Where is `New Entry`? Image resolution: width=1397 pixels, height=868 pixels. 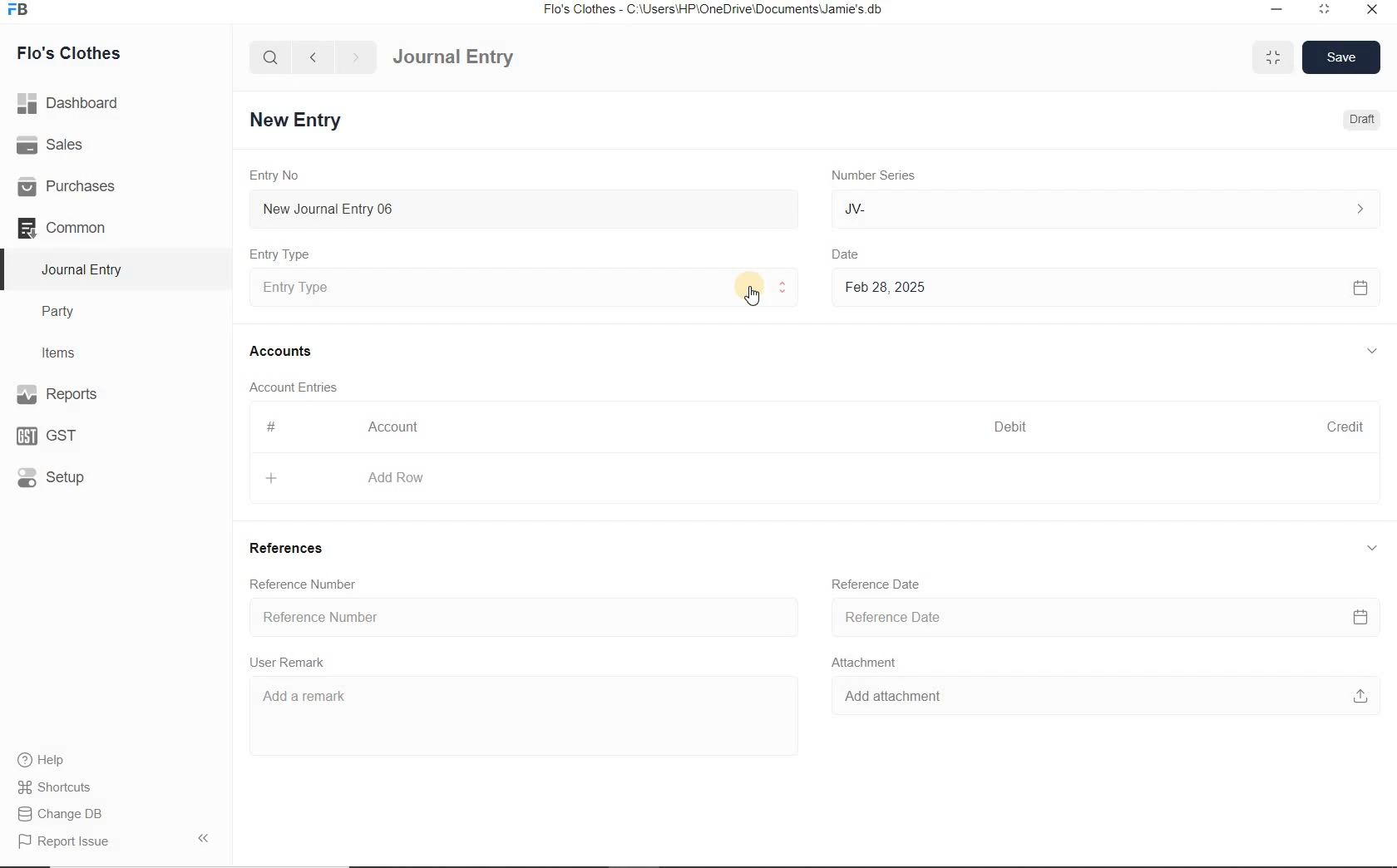 New Entry is located at coordinates (299, 119).